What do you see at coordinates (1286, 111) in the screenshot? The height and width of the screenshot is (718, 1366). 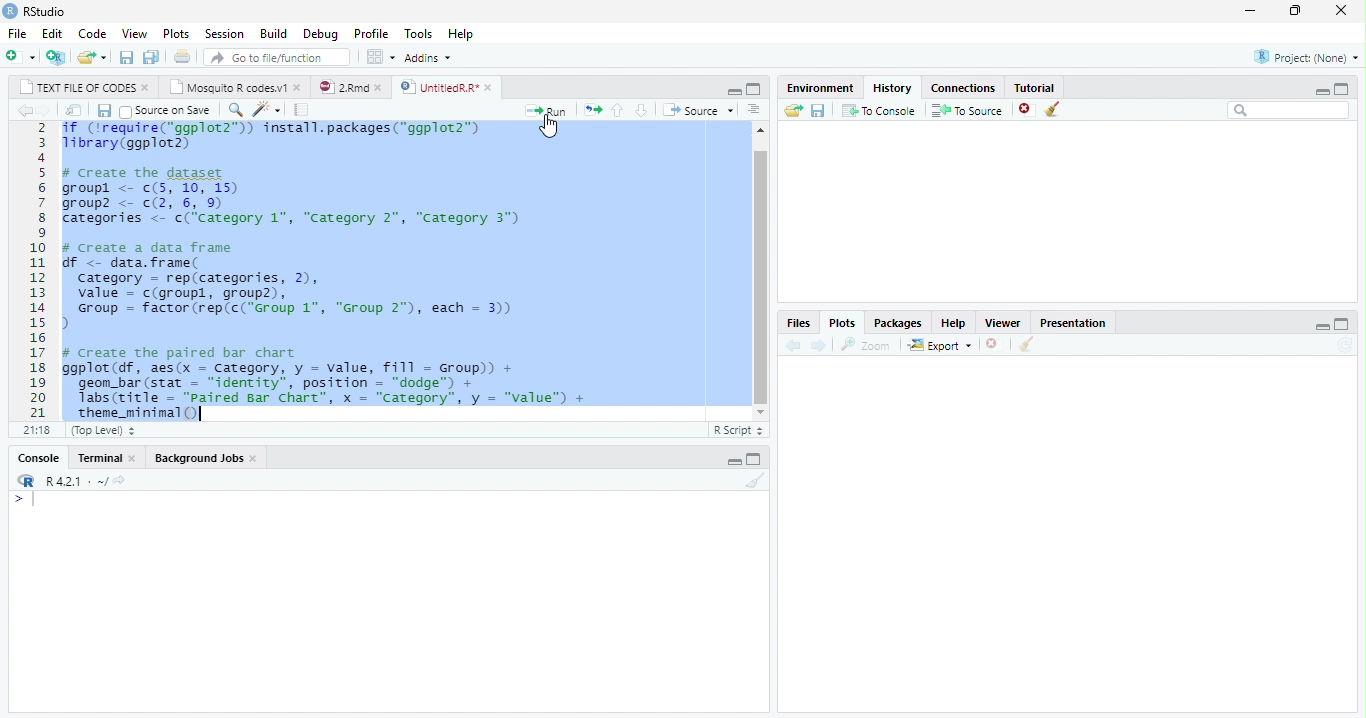 I see `search` at bounding box center [1286, 111].